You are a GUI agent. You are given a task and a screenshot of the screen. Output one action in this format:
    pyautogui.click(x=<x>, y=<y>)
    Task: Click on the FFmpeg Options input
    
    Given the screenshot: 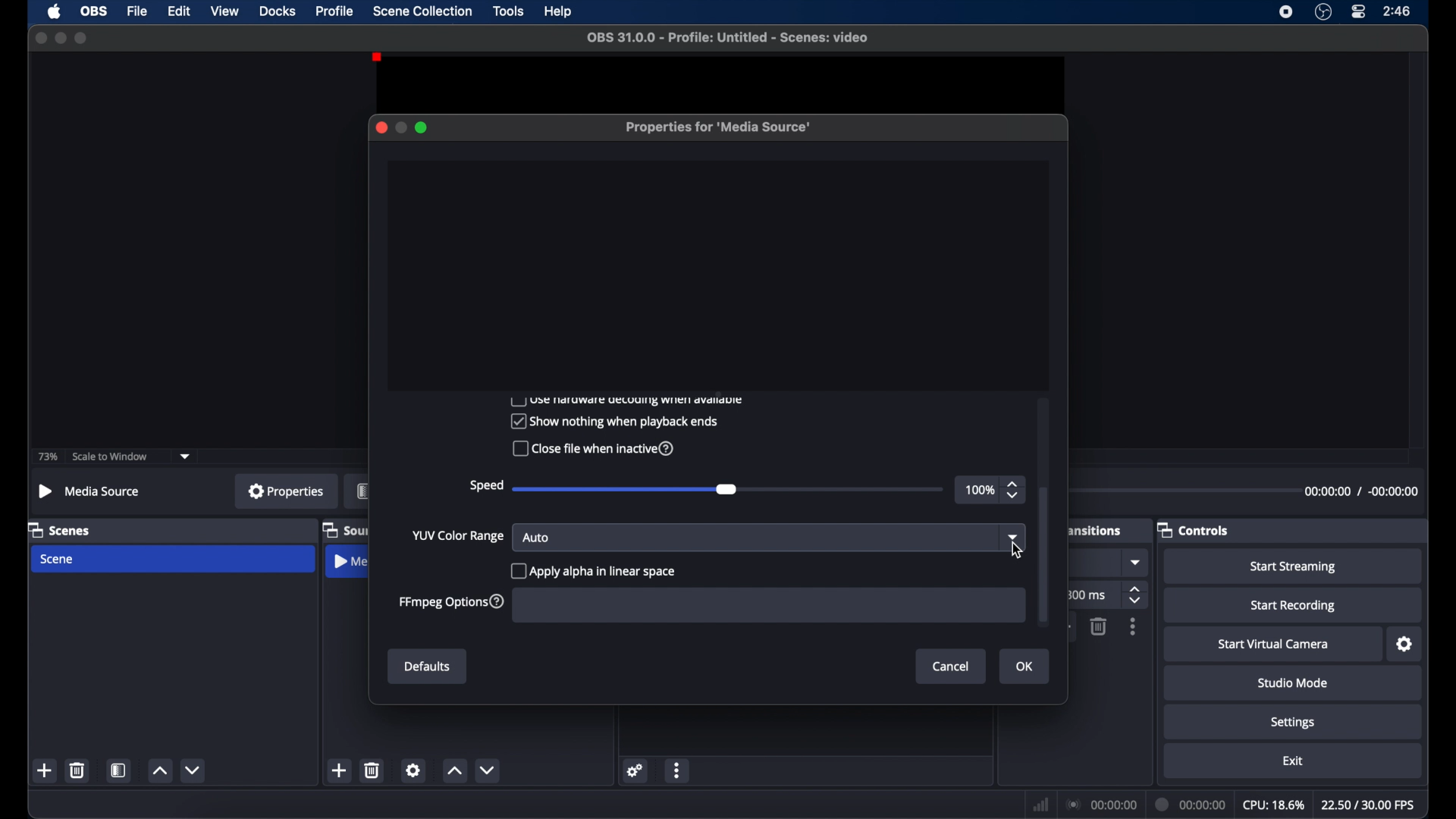 What is the action you would take?
    pyautogui.click(x=770, y=605)
    